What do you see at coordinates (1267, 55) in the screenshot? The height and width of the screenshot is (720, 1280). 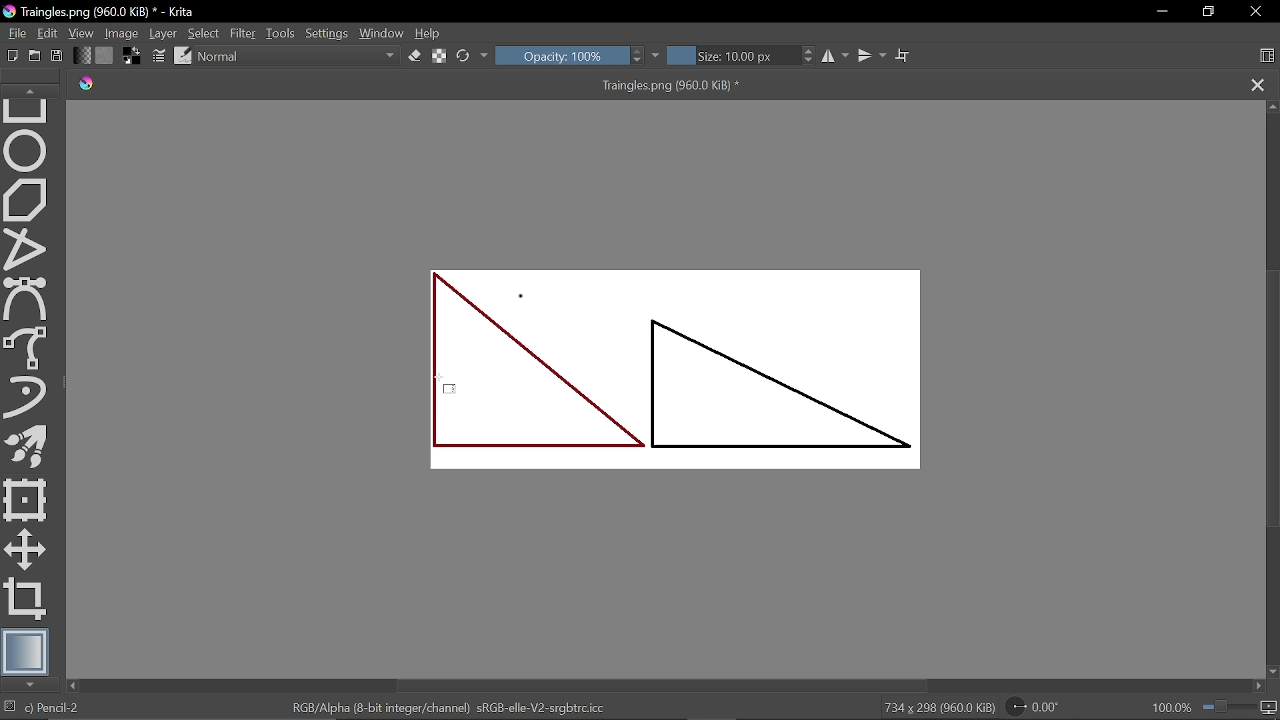 I see `Choose workspace` at bounding box center [1267, 55].